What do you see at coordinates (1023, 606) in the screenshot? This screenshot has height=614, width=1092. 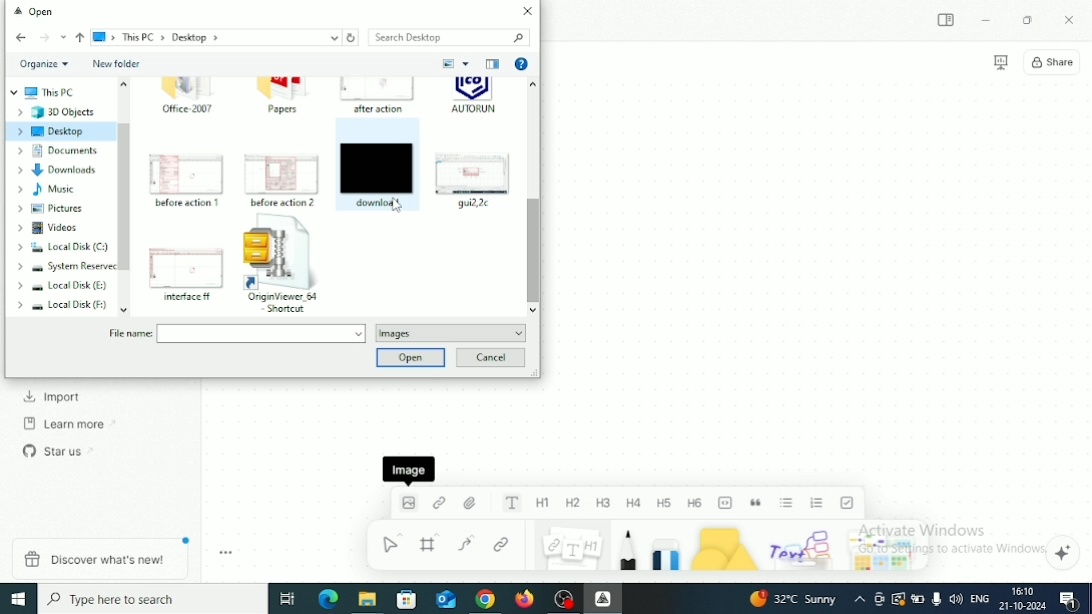 I see `Date` at bounding box center [1023, 606].